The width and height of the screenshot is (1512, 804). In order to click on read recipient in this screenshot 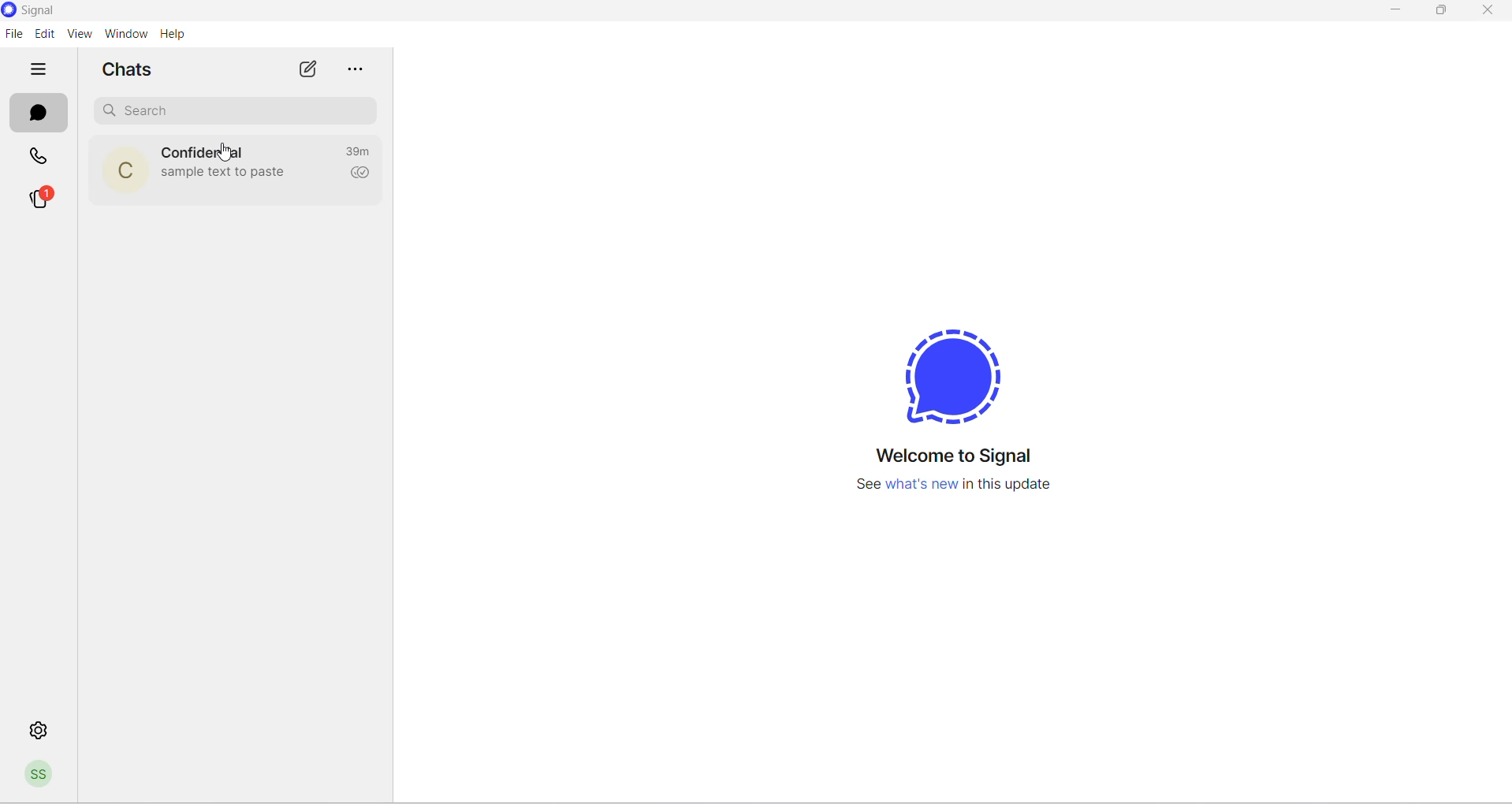, I will do `click(362, 175)`.